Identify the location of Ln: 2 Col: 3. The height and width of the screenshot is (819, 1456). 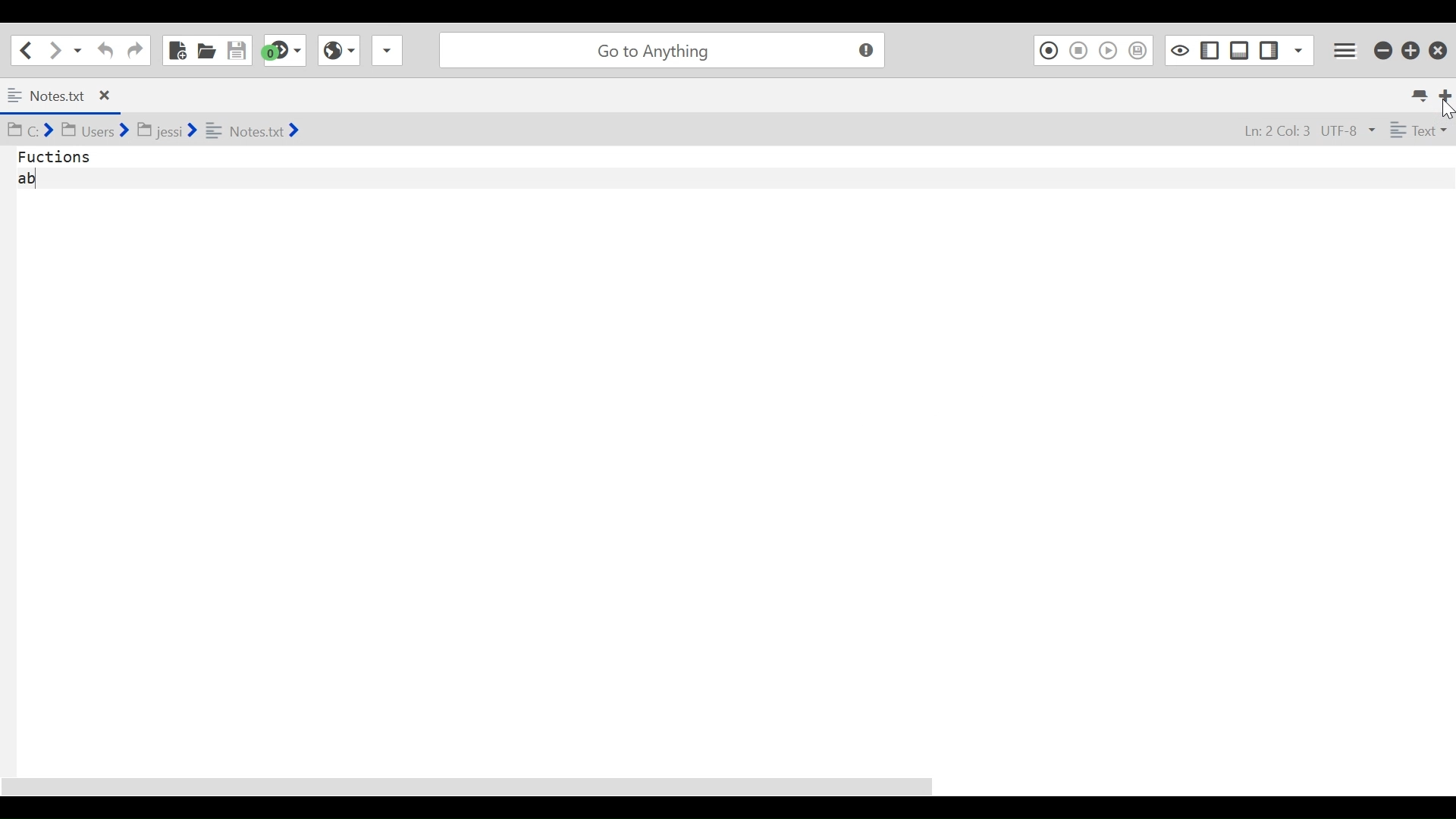
(1272, 130).